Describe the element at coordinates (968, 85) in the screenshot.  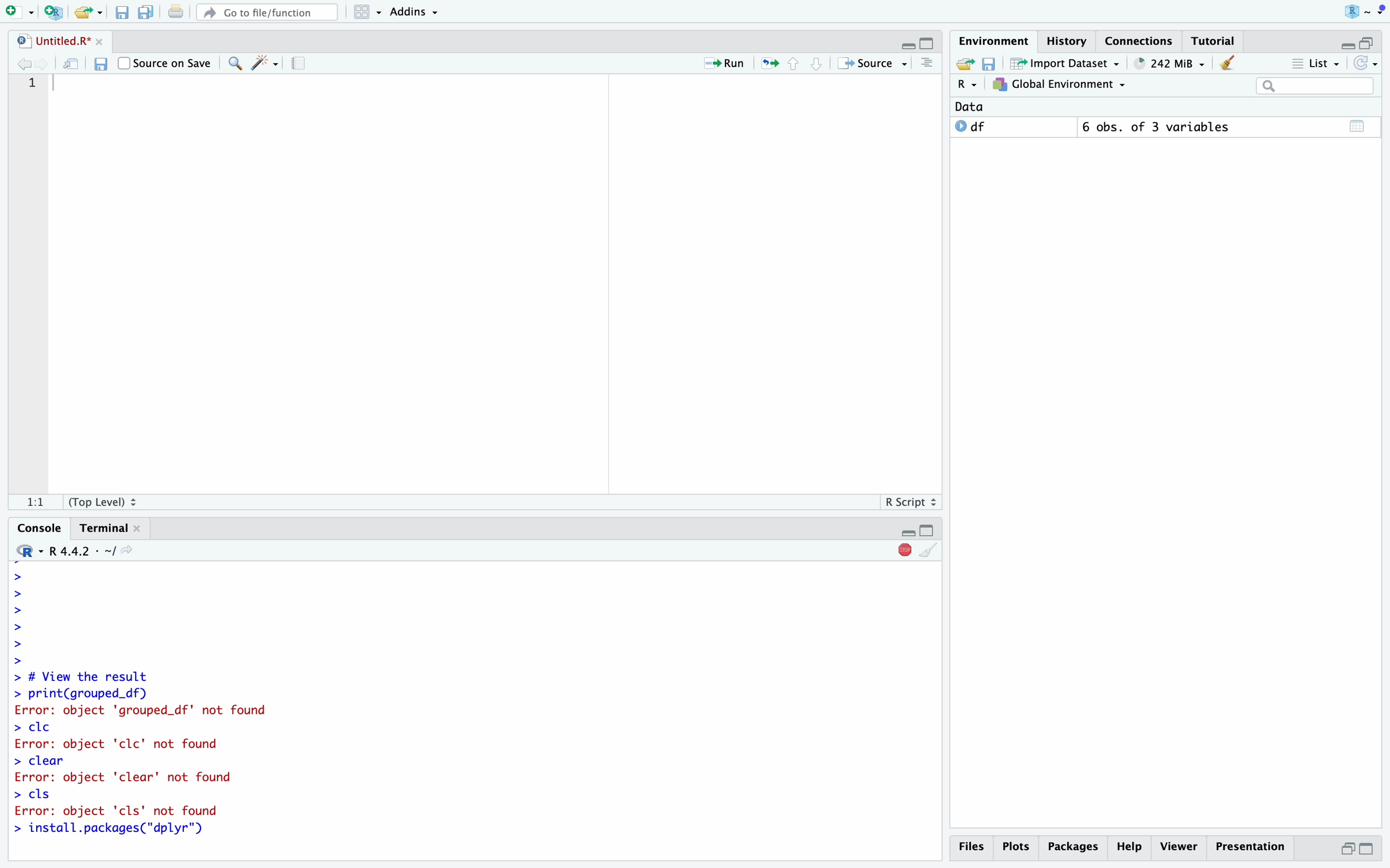
I see `R` at that location.